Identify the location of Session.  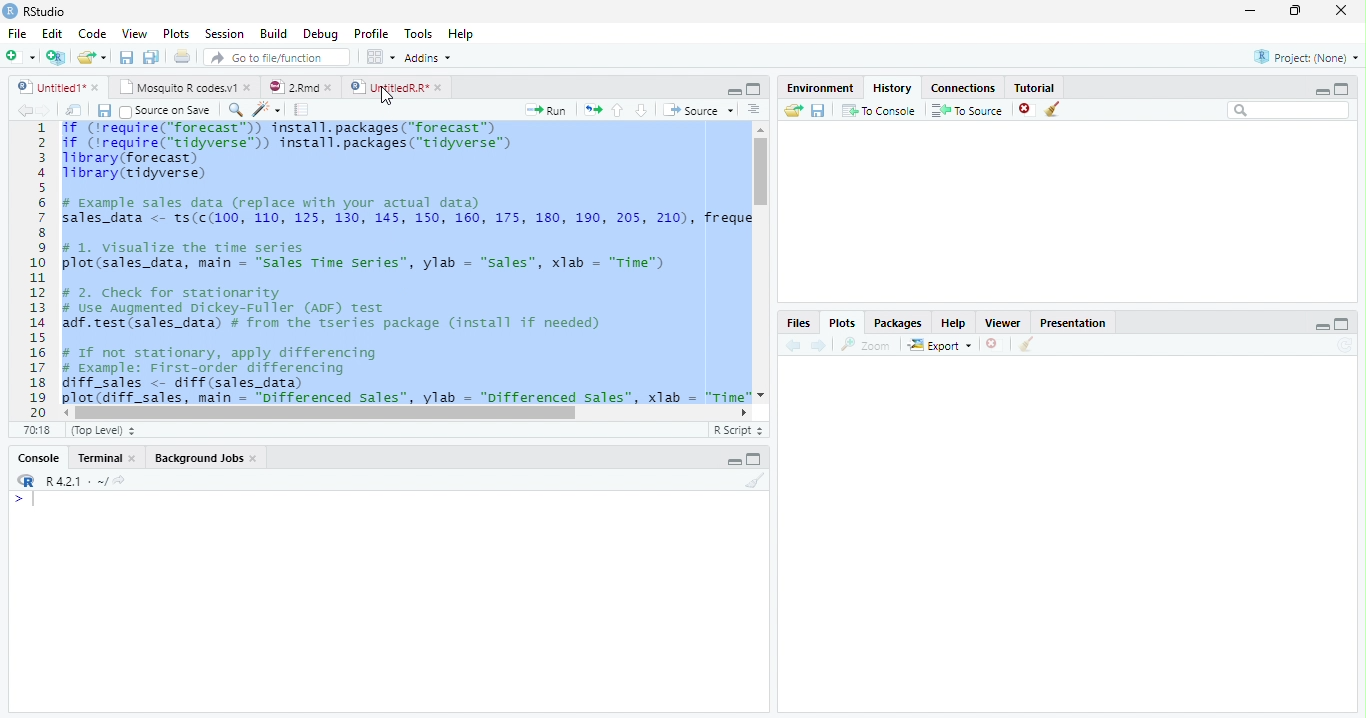
(226, 34).